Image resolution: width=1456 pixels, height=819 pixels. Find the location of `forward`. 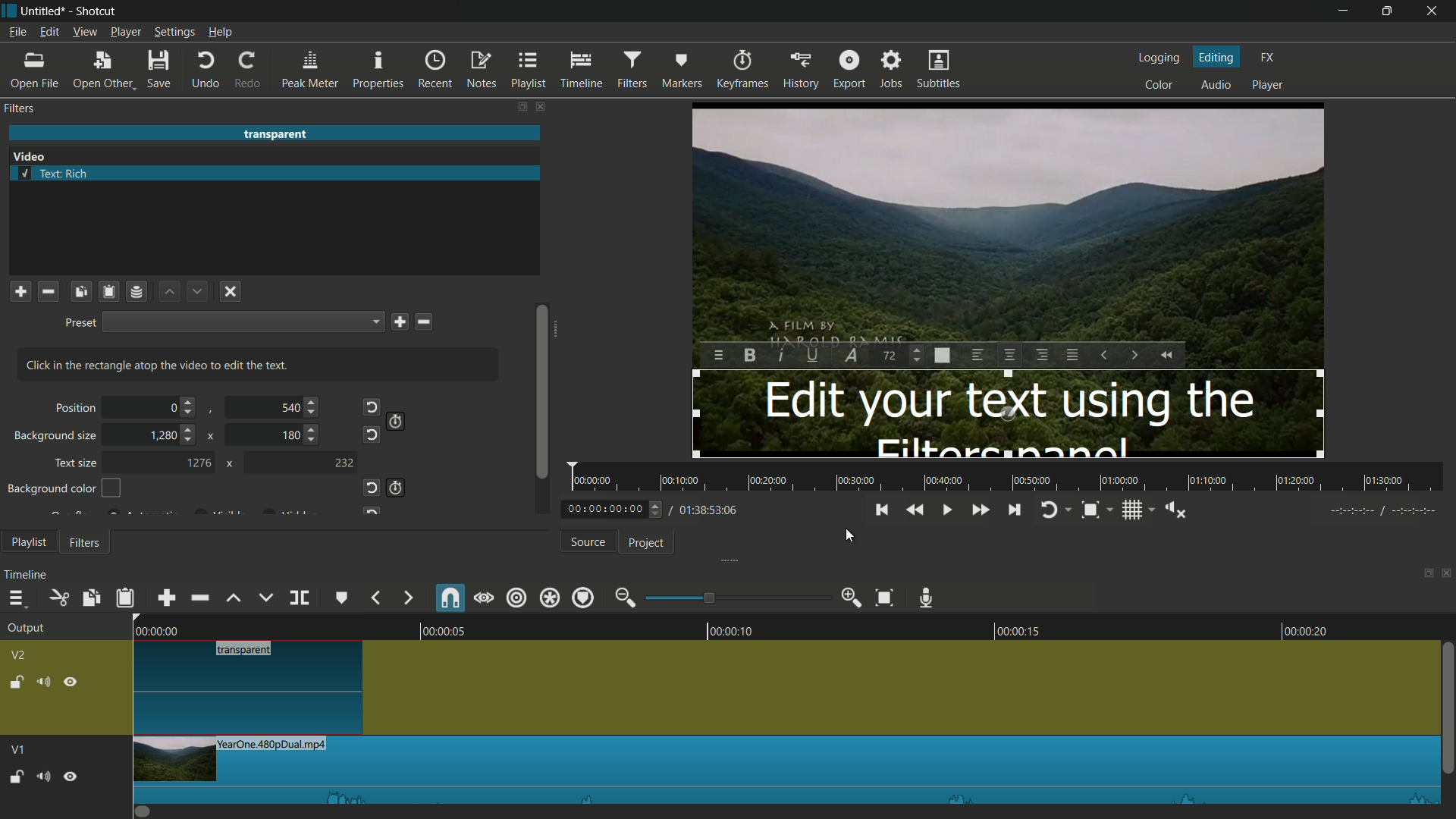

forward is located at coordinates (1134, 355).